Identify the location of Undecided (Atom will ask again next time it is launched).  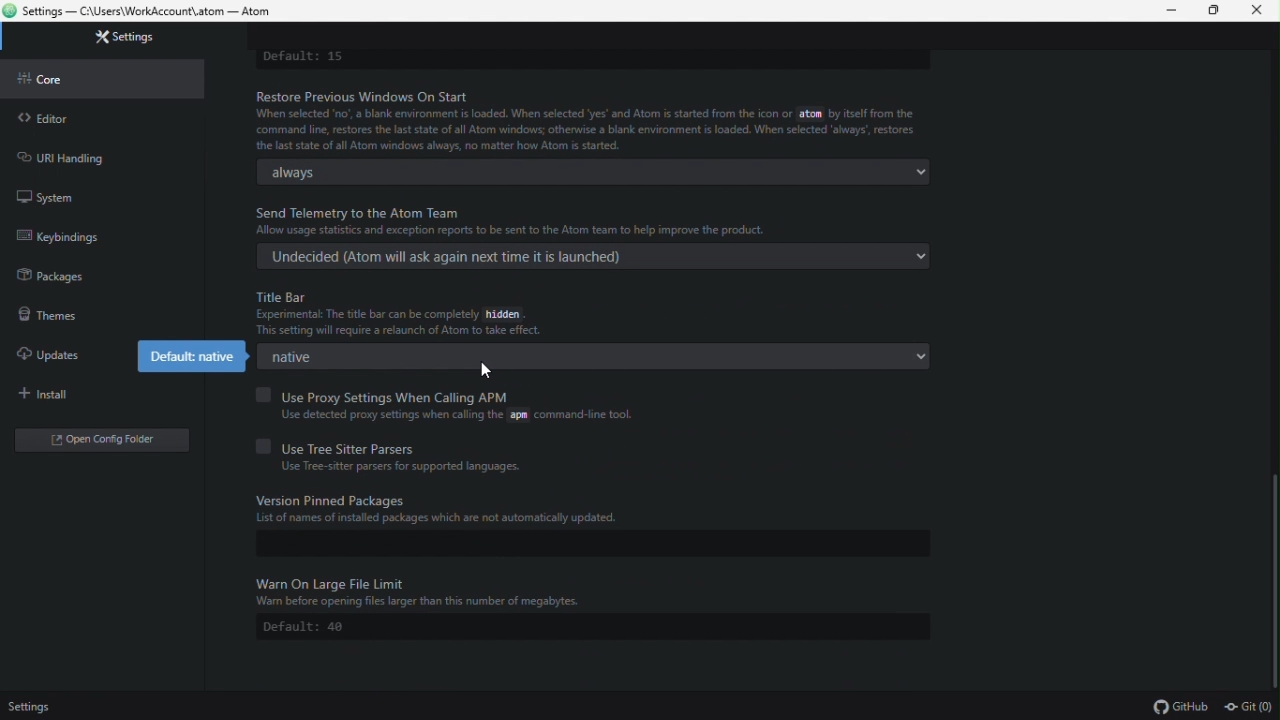
(590, 258).